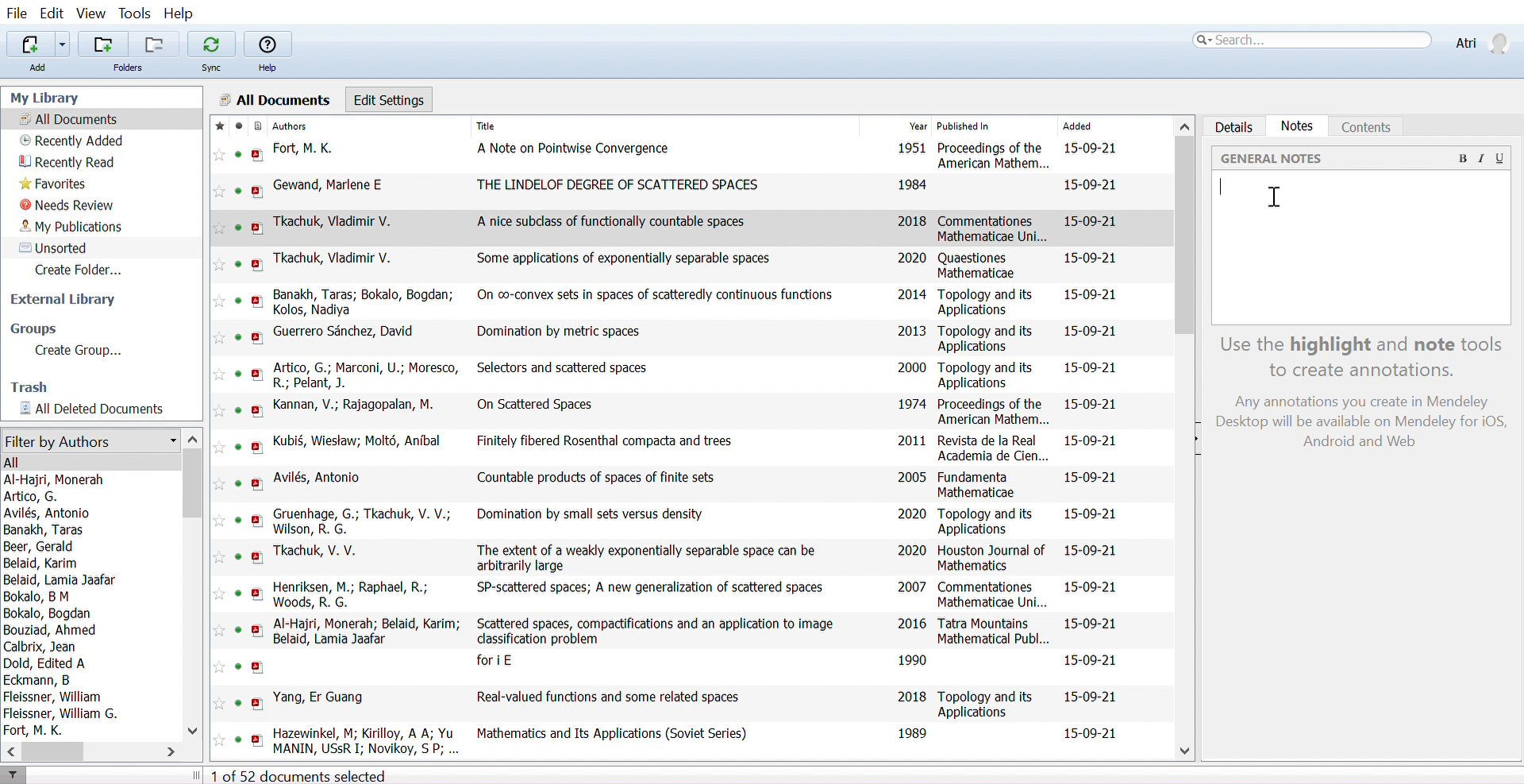 The width and height of the screenshot is (1524, 784). Describe the element at coordinates (258, 301) in the screenshot. I see `open PDF` at that location.